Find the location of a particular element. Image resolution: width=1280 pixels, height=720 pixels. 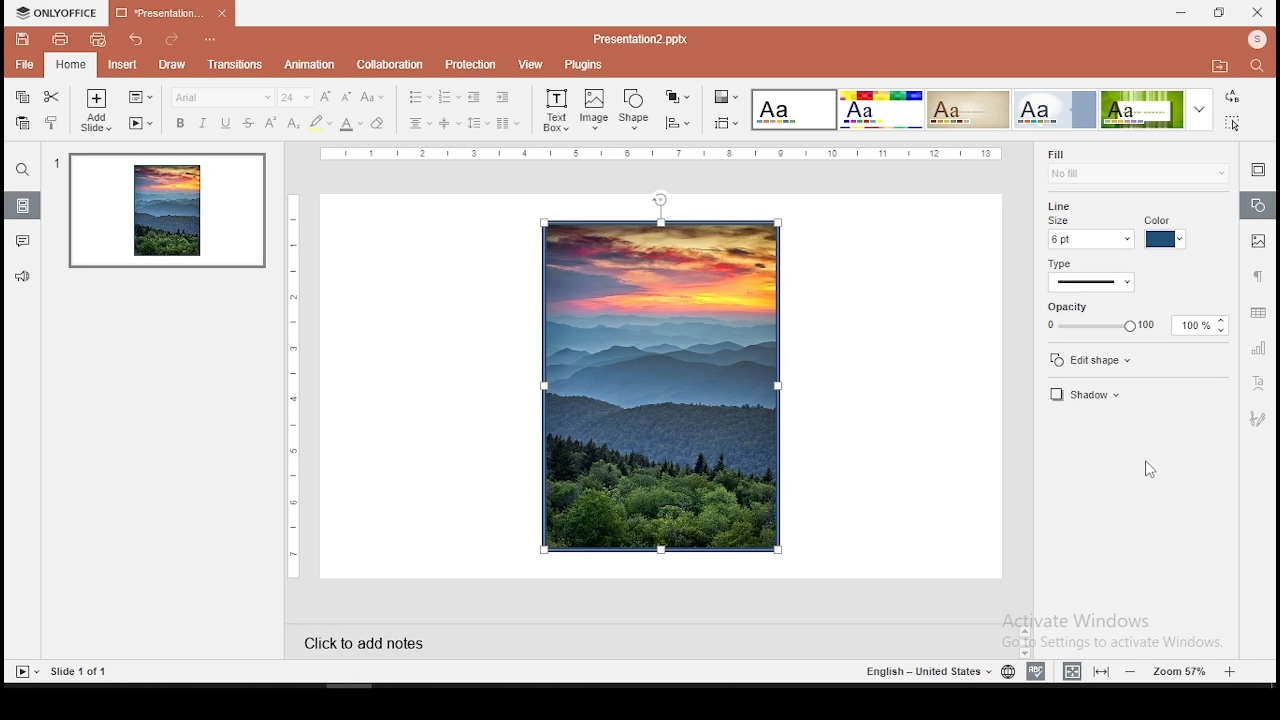

spell check is located at coordinates (1036, 671).